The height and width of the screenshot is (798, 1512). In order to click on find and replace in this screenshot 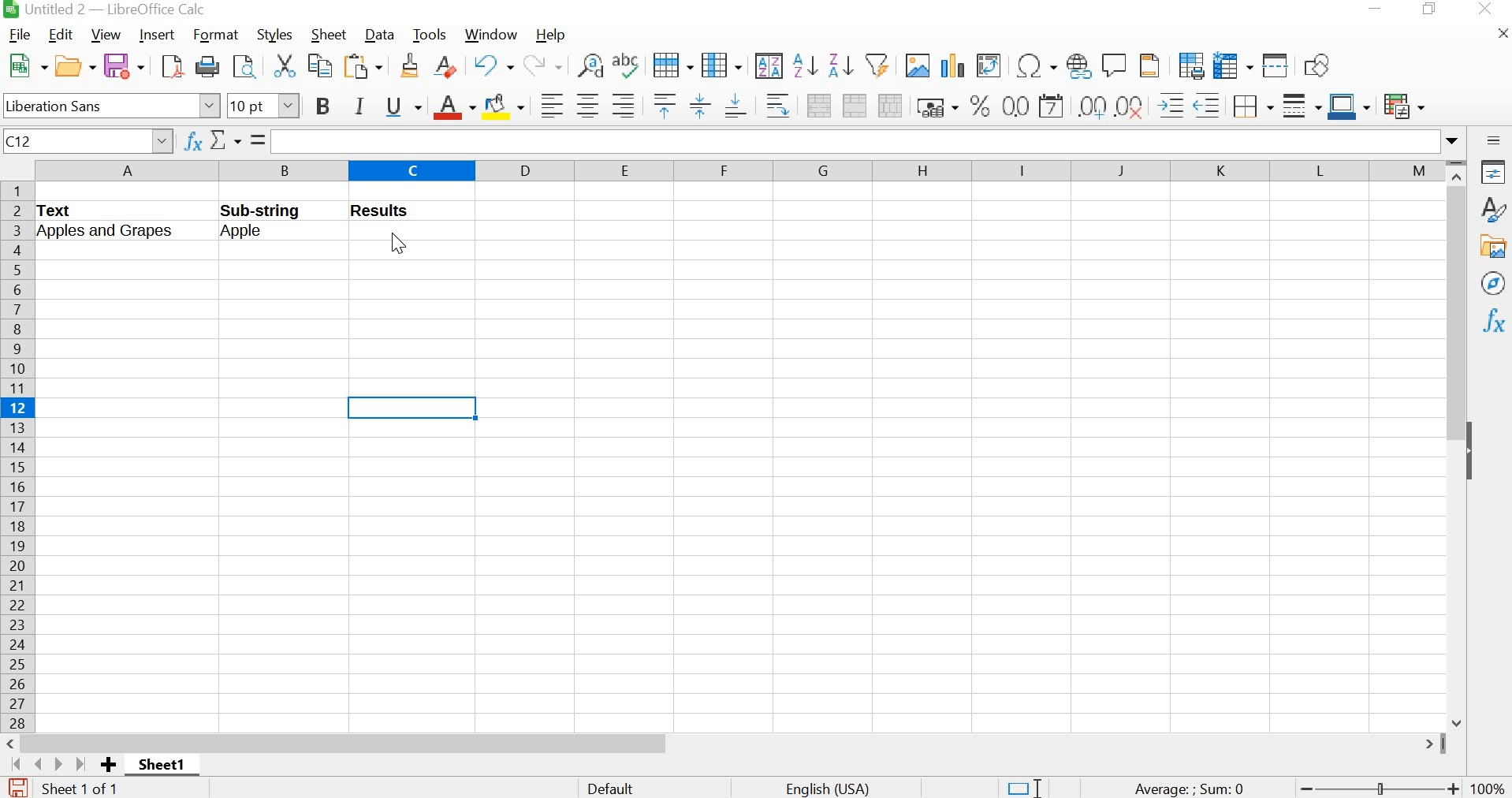, I will do `click(587, 63)`.